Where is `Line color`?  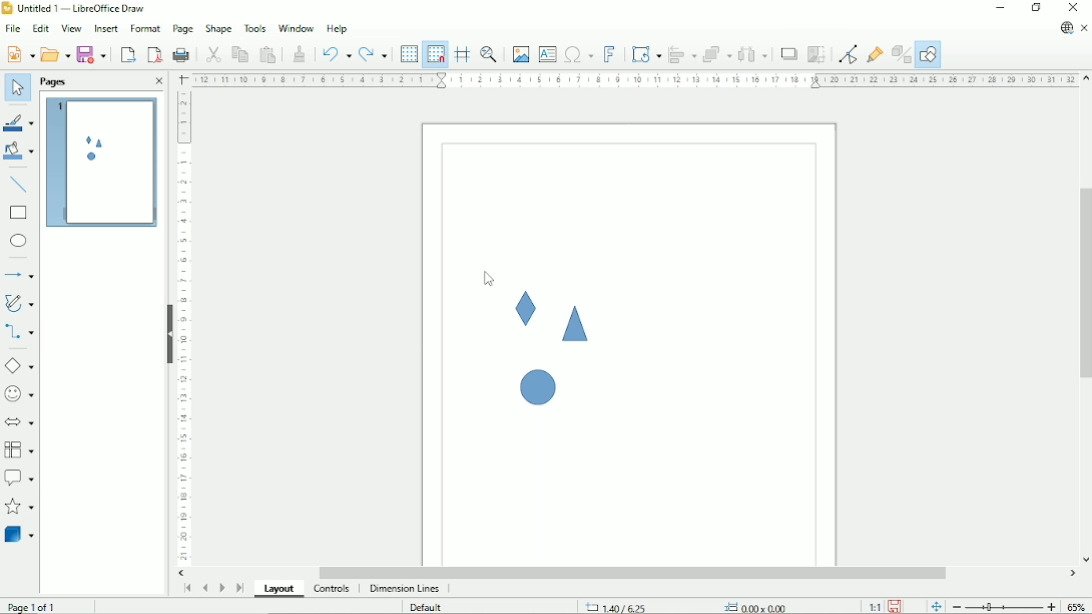 Line color is located at coordinates (18, 120).